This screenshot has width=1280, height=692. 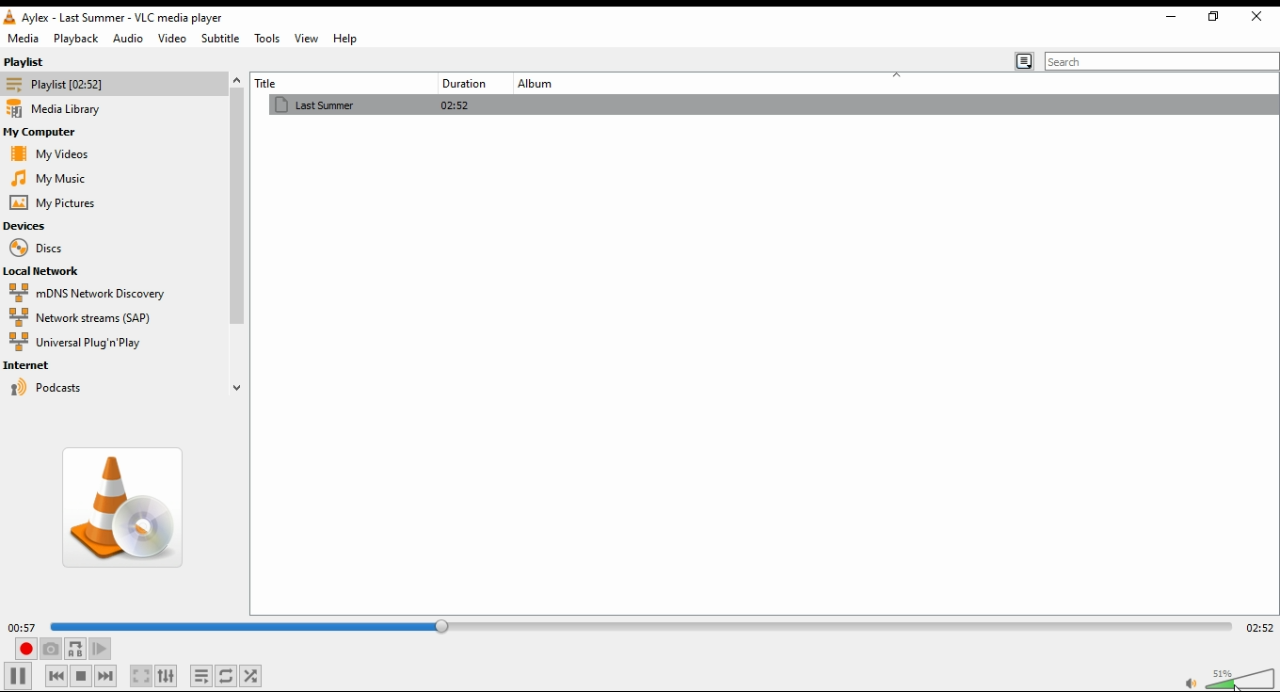 What do you see at coordinates (75, 649) in the screenshot?
I see `loop between point A and point B continuously` at bounding box center [75, 649].